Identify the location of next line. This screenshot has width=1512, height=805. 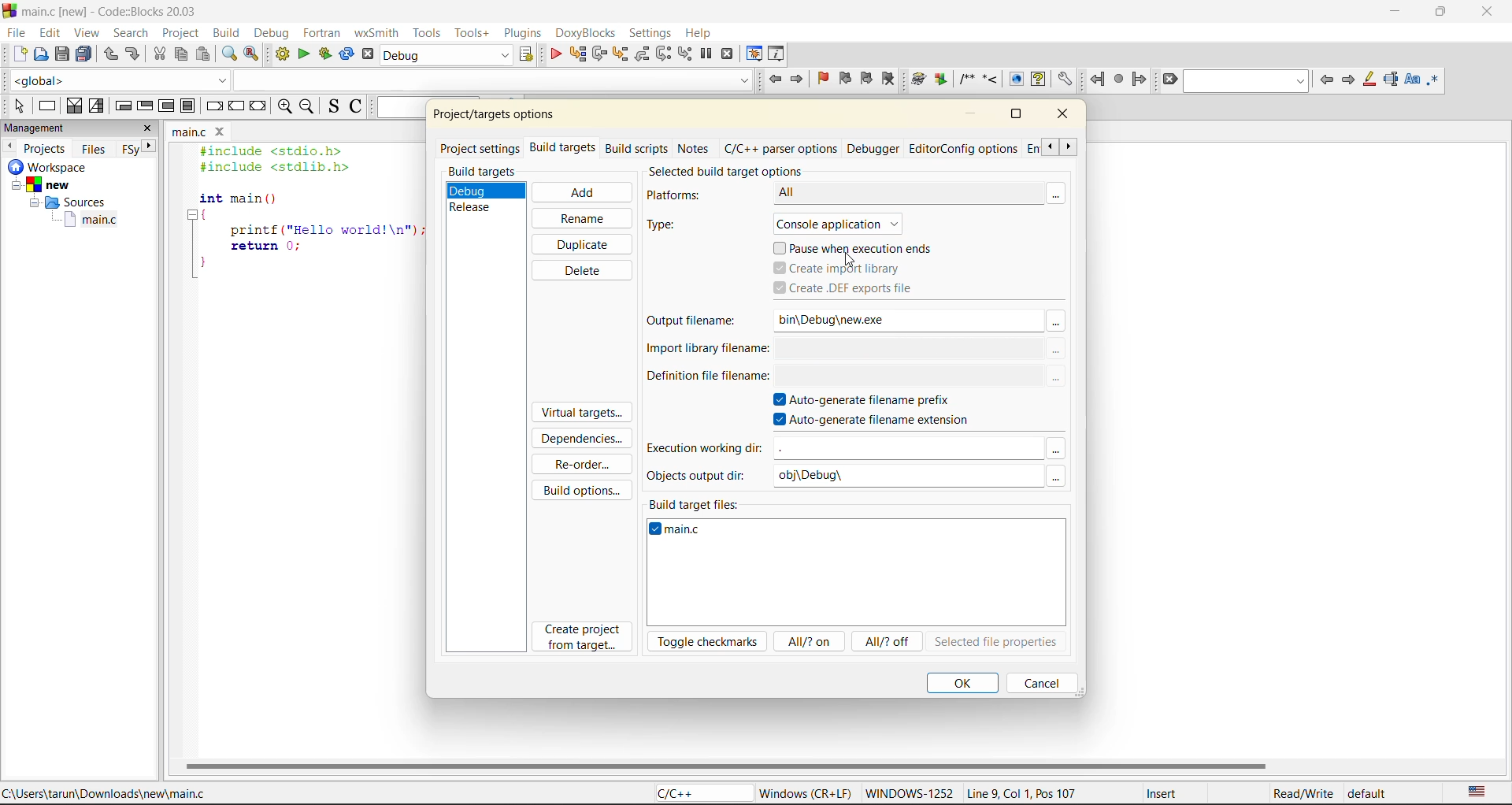
(601, 56).